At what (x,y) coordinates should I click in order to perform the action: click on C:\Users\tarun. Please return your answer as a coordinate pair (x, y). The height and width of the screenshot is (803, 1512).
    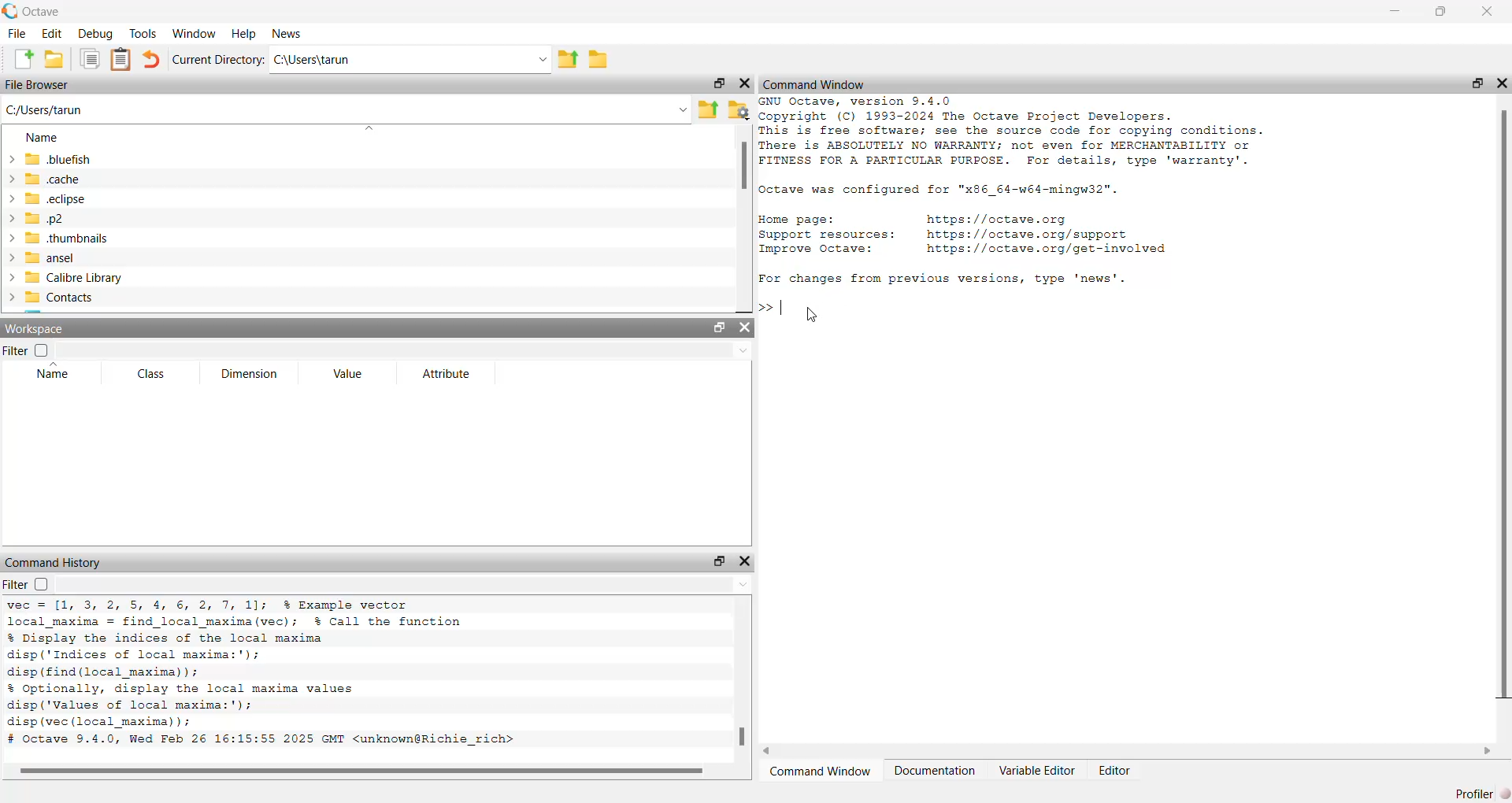
    Looking at the image, I should click on (399, 60).